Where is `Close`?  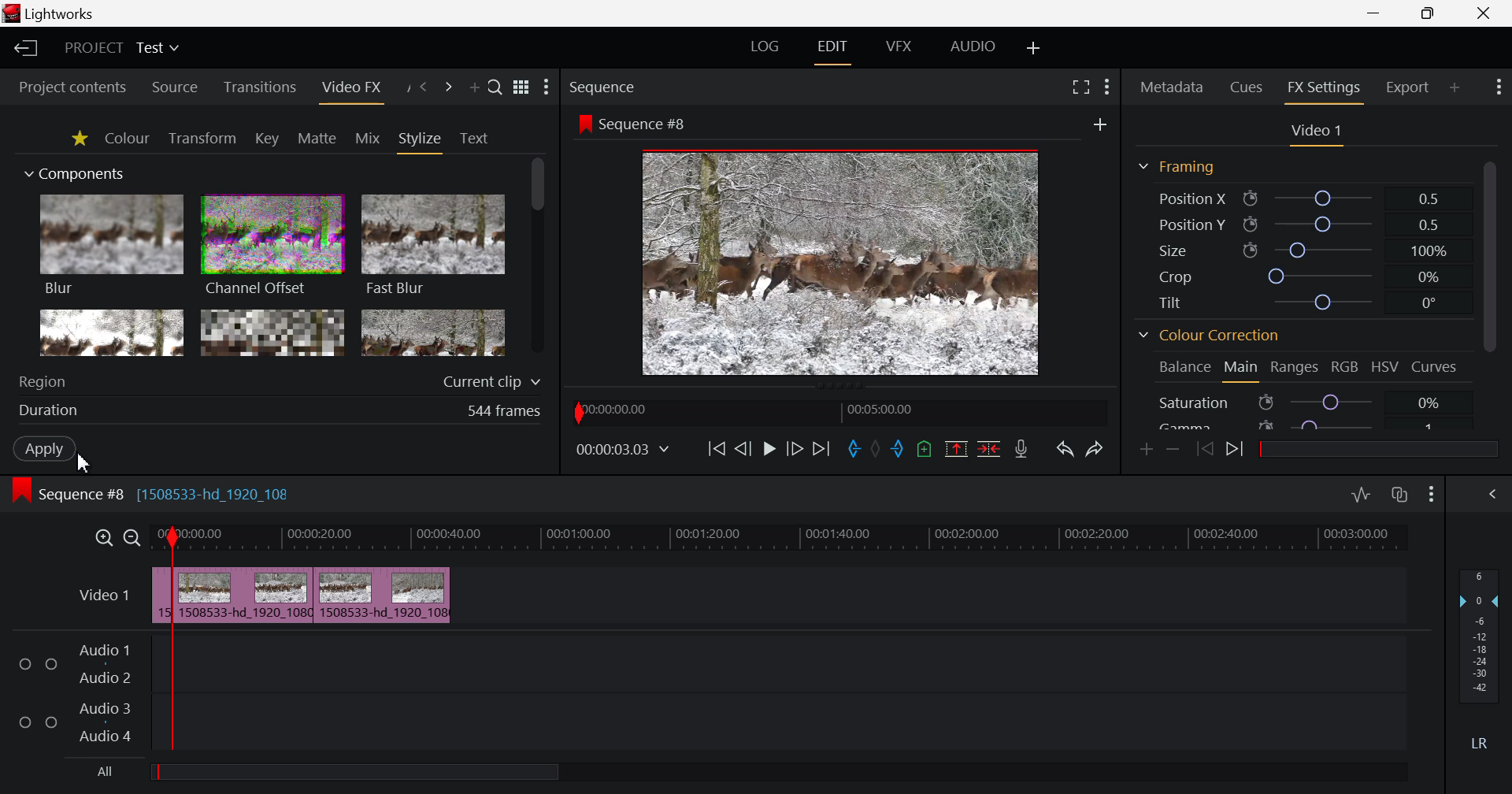 Close is located at coordinates (1487, 13).